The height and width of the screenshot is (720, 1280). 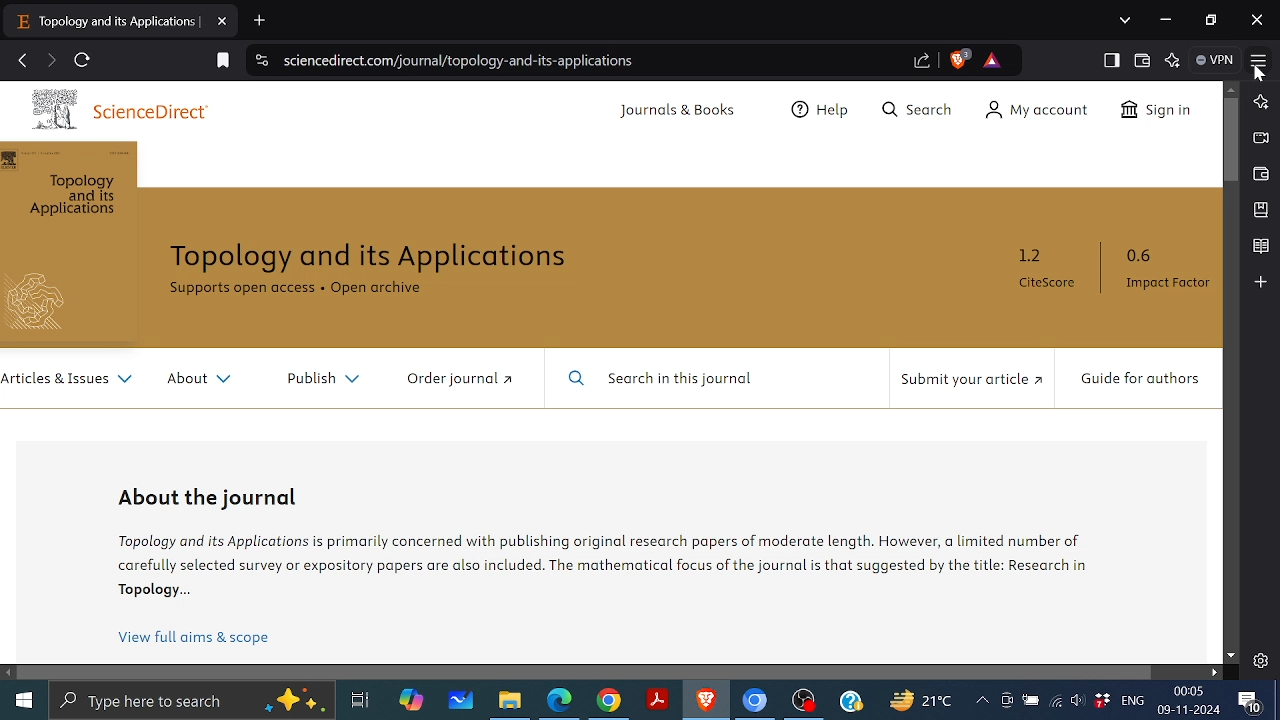 What do you see at coordinates (1057, 697) in the screenshot?
I see `Internet Access` at bounding box center [1057, 697].